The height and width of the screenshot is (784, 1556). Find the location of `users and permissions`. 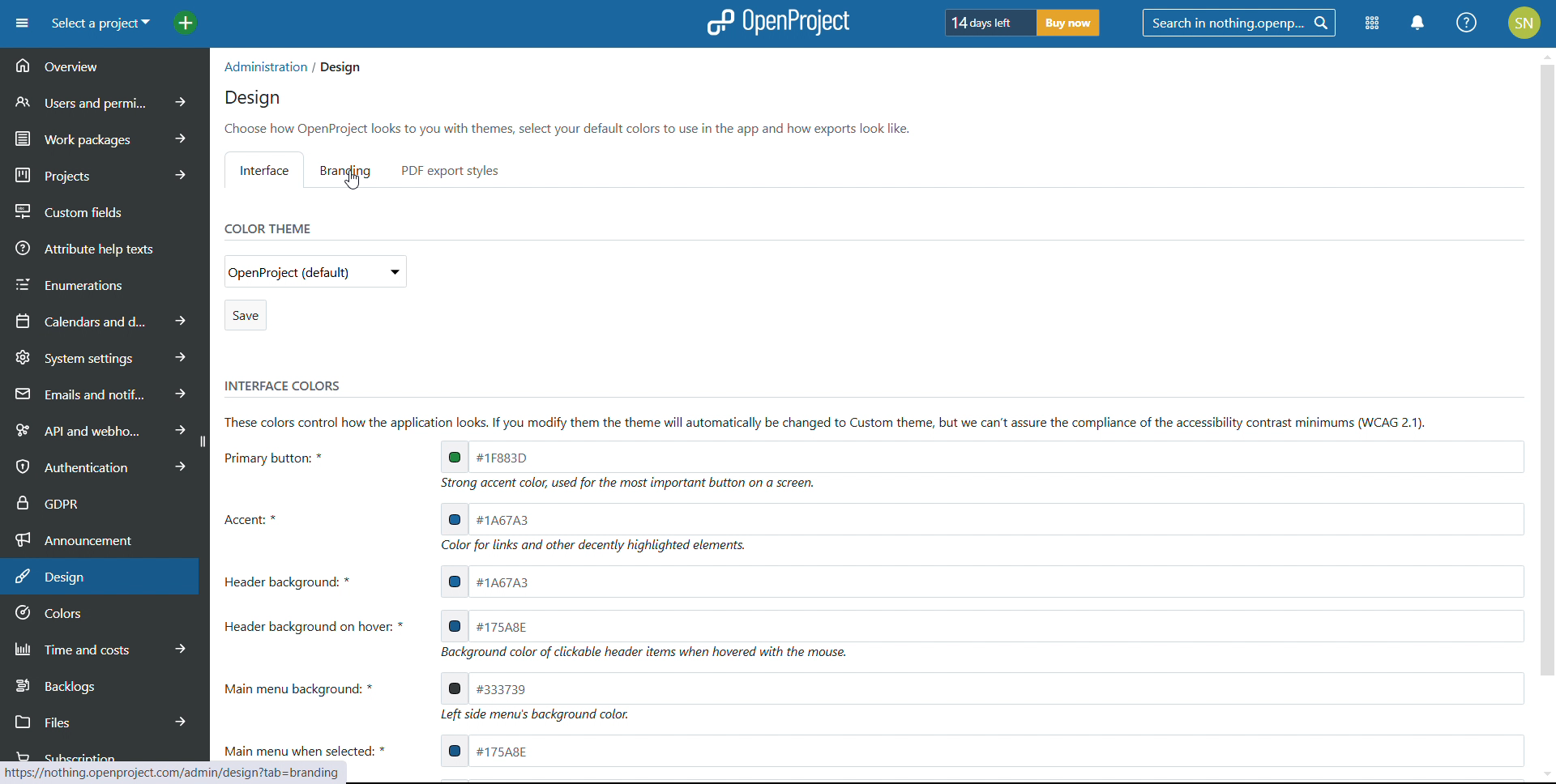

users and permissions is located at coordinates (106, 101).